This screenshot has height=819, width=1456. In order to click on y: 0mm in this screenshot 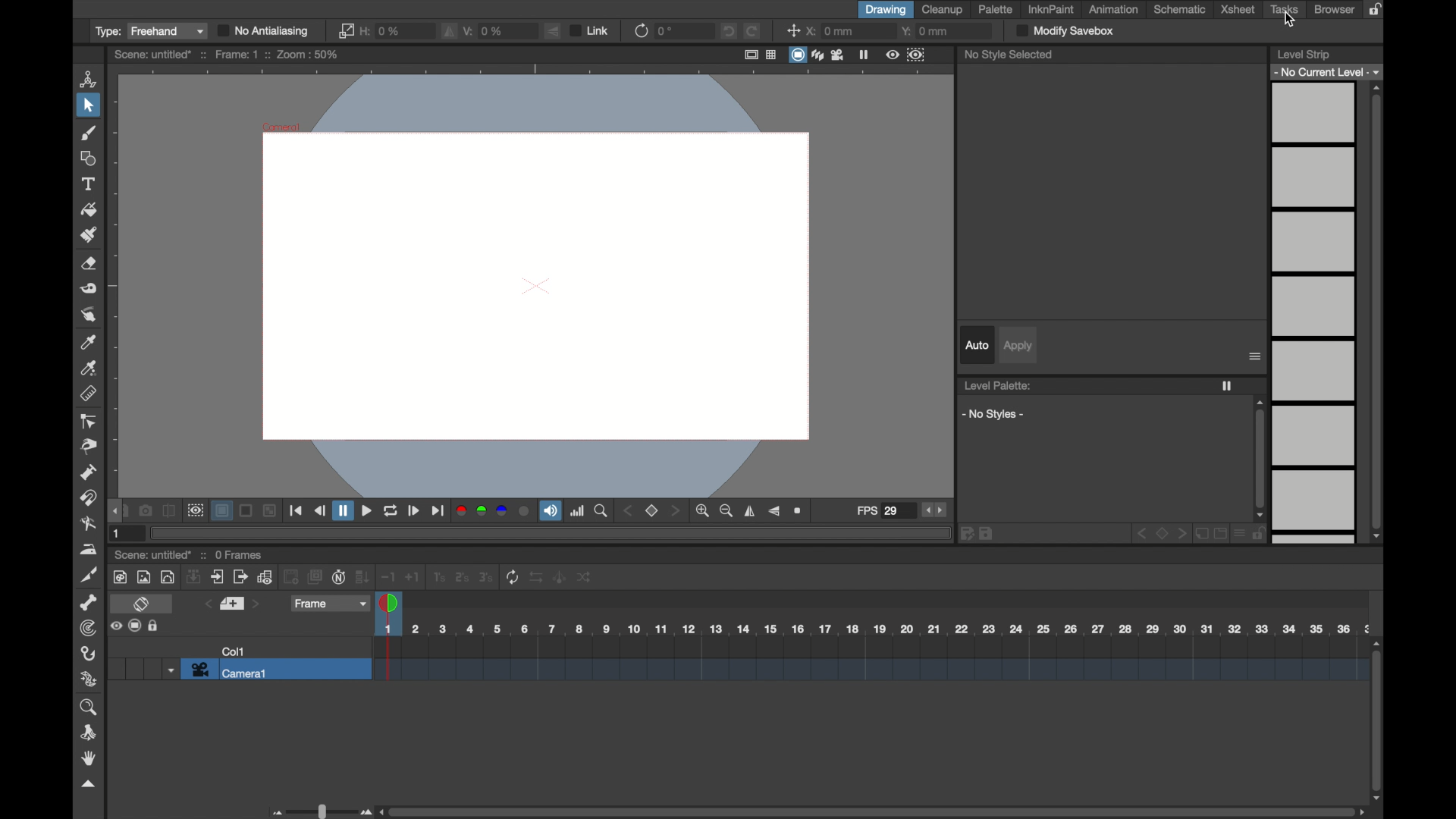, I will do `click(924, 31)`.